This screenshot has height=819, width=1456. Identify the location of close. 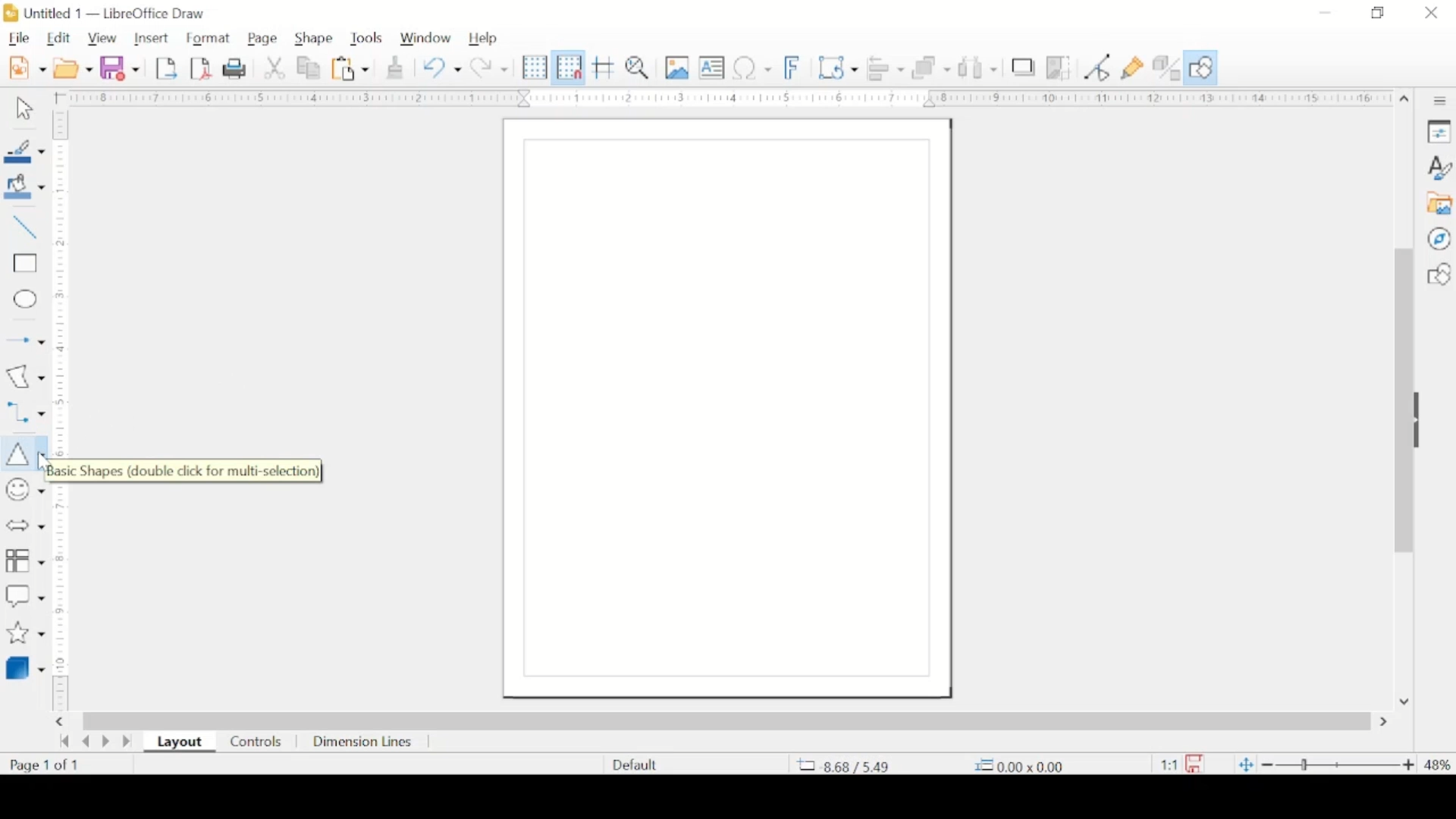
(1432, 13).